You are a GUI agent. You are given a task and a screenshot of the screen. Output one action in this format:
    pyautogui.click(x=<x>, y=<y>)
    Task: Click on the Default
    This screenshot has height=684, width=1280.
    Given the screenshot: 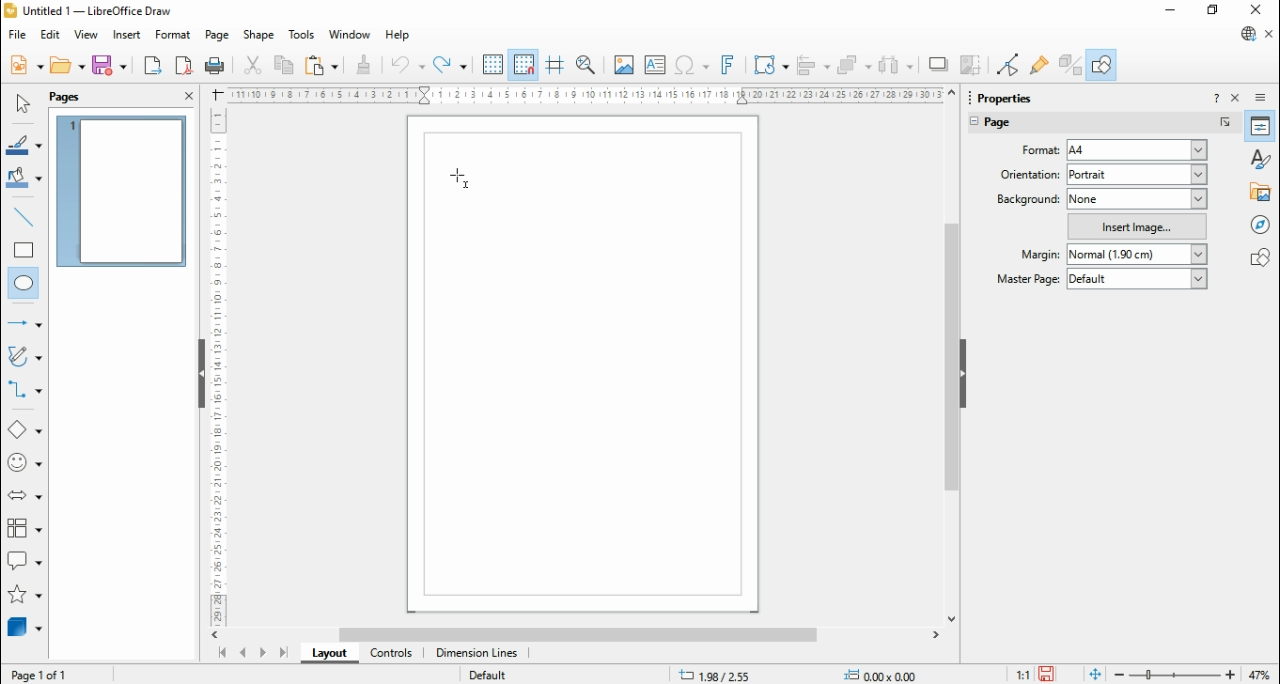 What is the action you would take?
    pyautogui.click(x=487, y=673)
    